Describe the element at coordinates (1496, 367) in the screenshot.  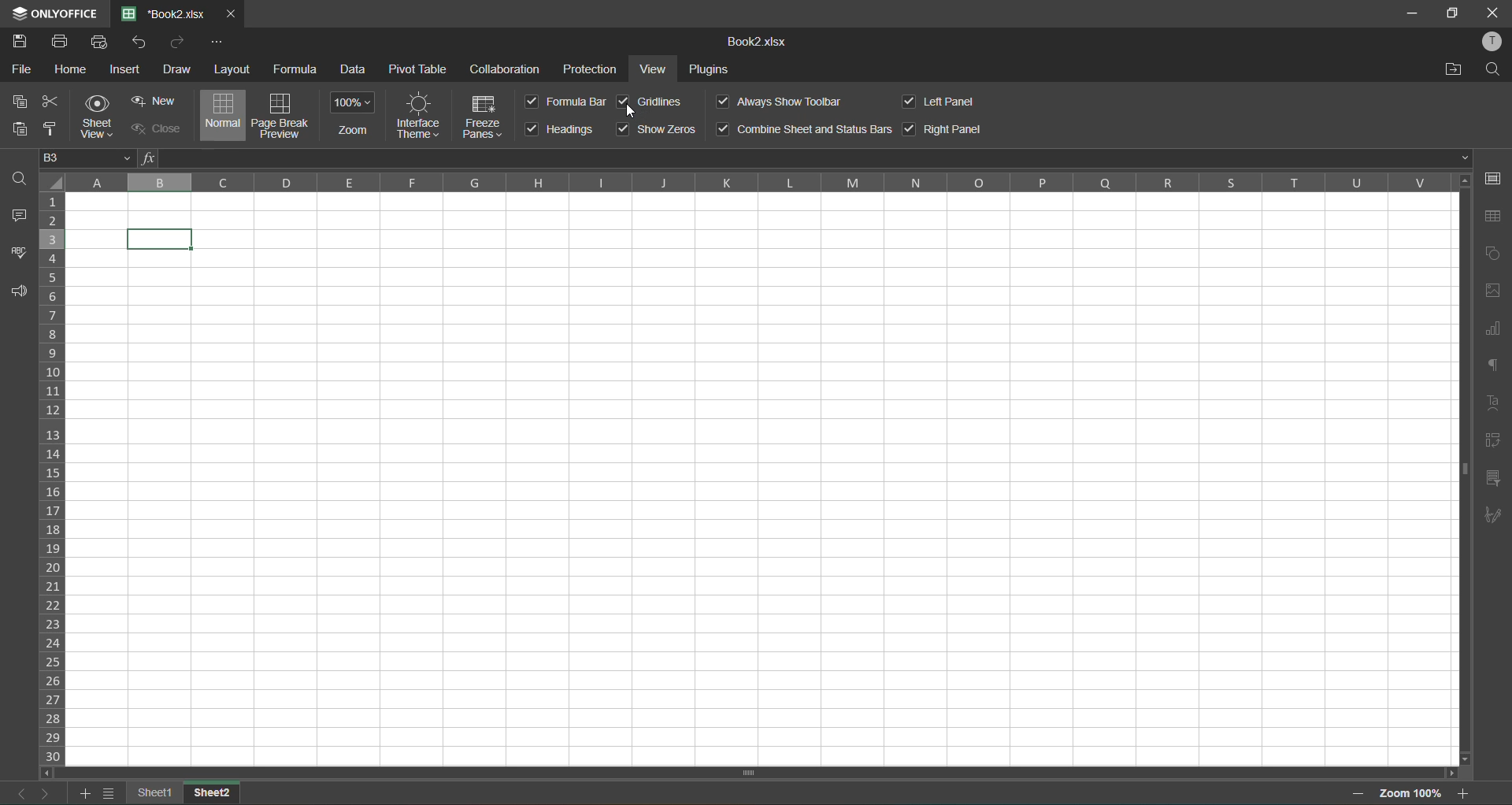
I see `paragraph` at that location.